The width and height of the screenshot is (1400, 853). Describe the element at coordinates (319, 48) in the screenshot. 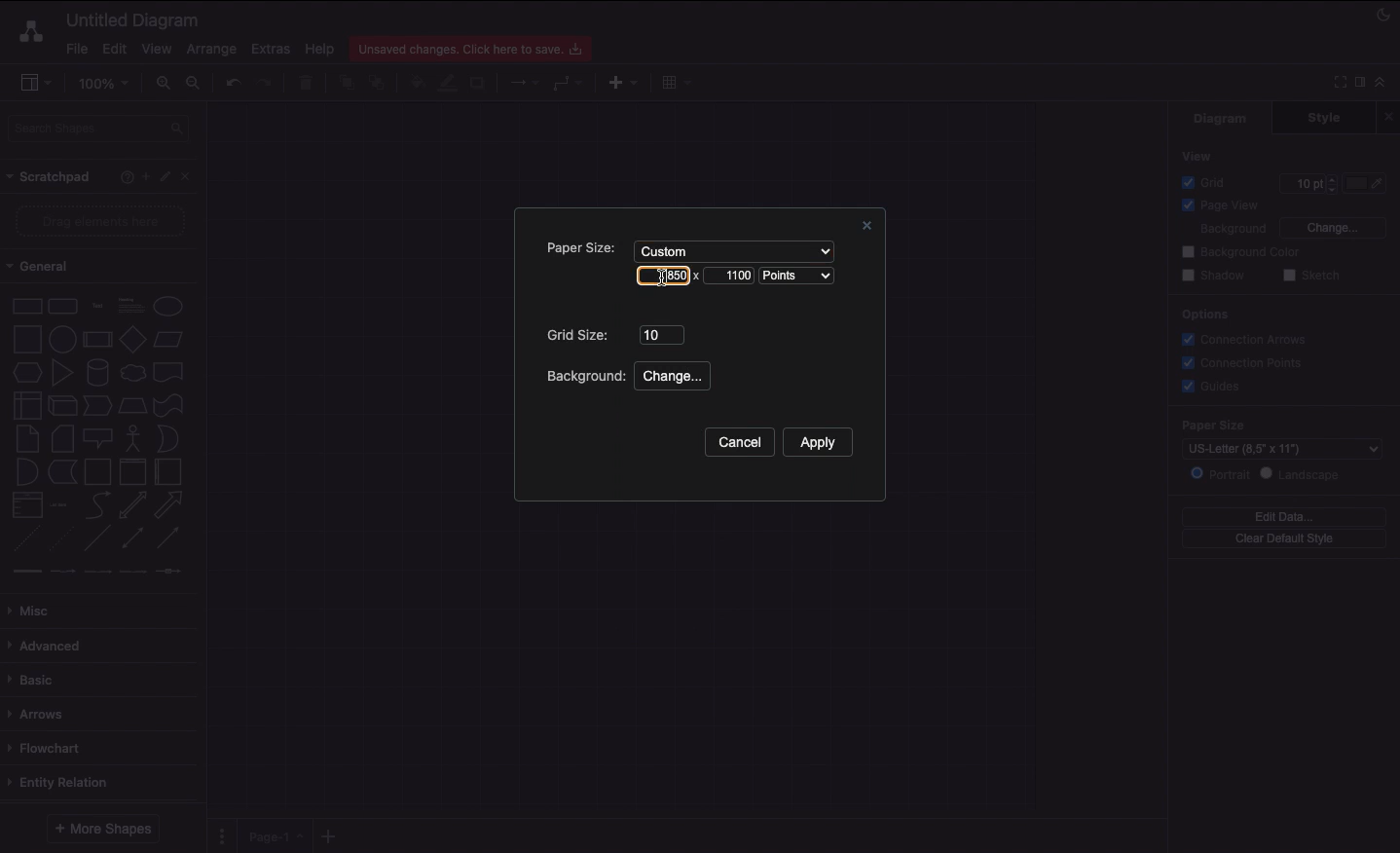

I see `Help` at that location.